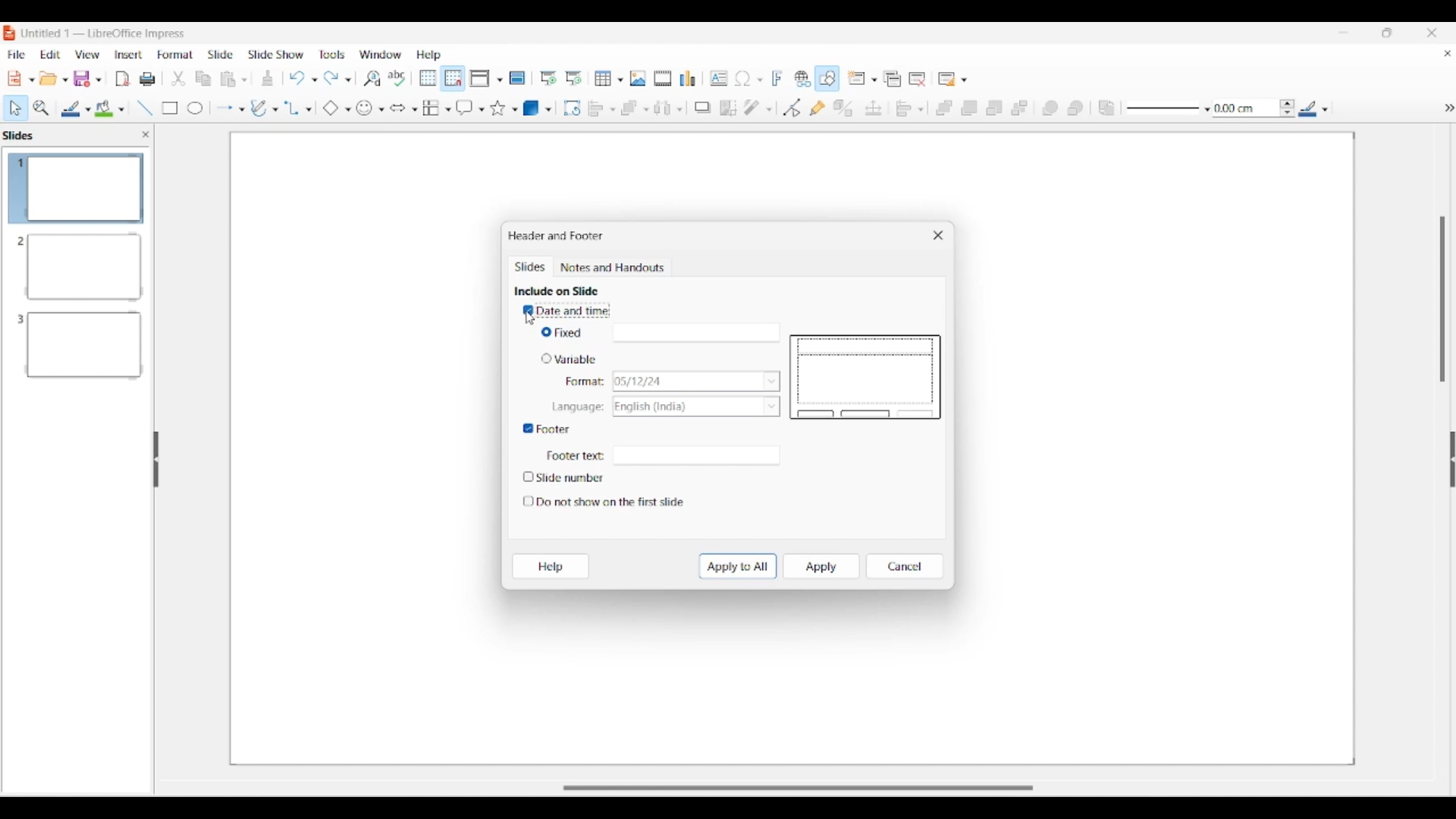 The height and width of the screenshot is (819, 1456). What do you see at coordinates (792, 108) in the screenshot?
I see `Toggle point edit mode` at bounding box center [792, 108].